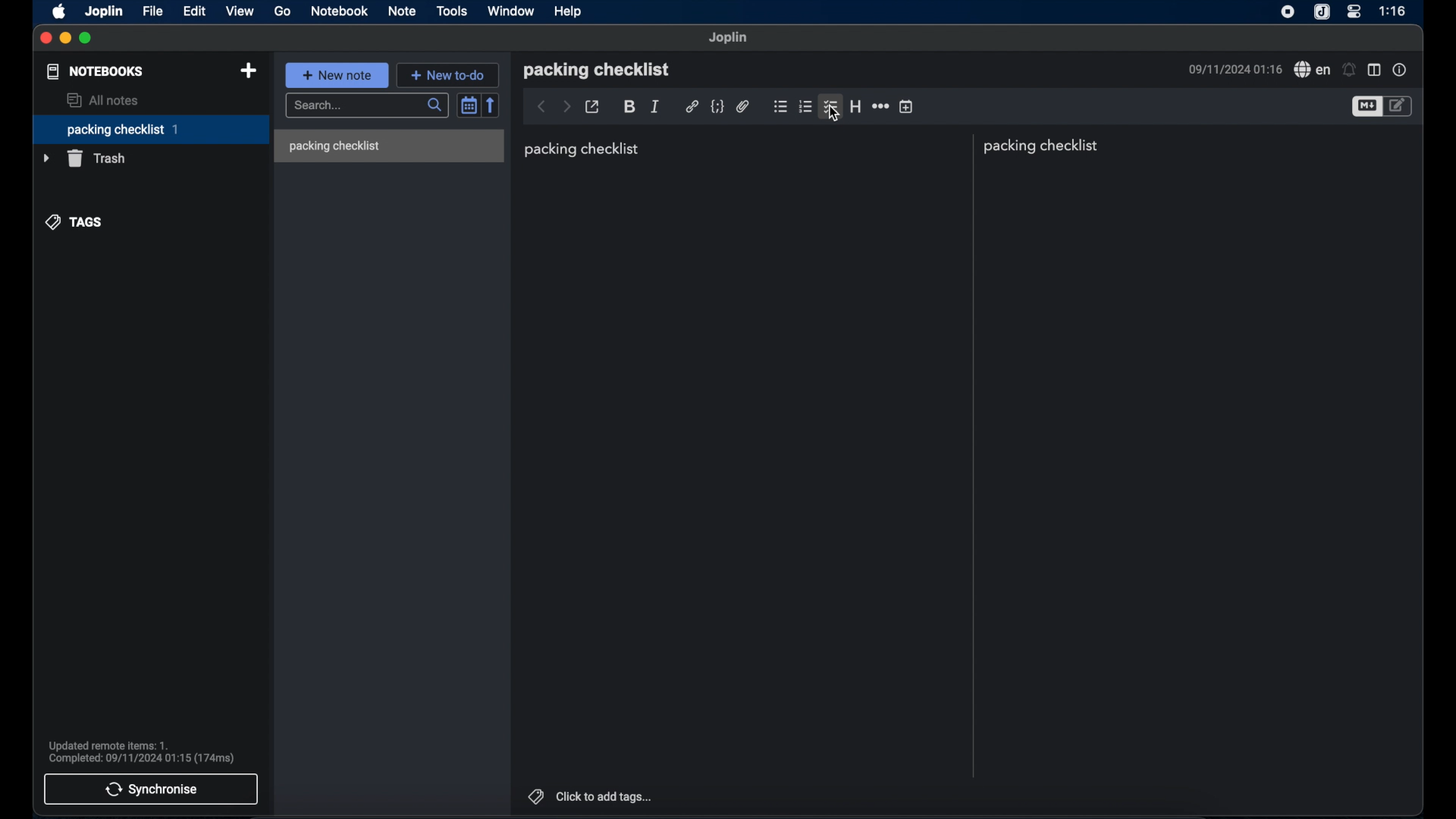 Image resolution: width=1456 pixels, height=819 pixels. What do you see at coordinates (629, 107) in the screenshot?
I see `bold` at bounding box center [629, 107].